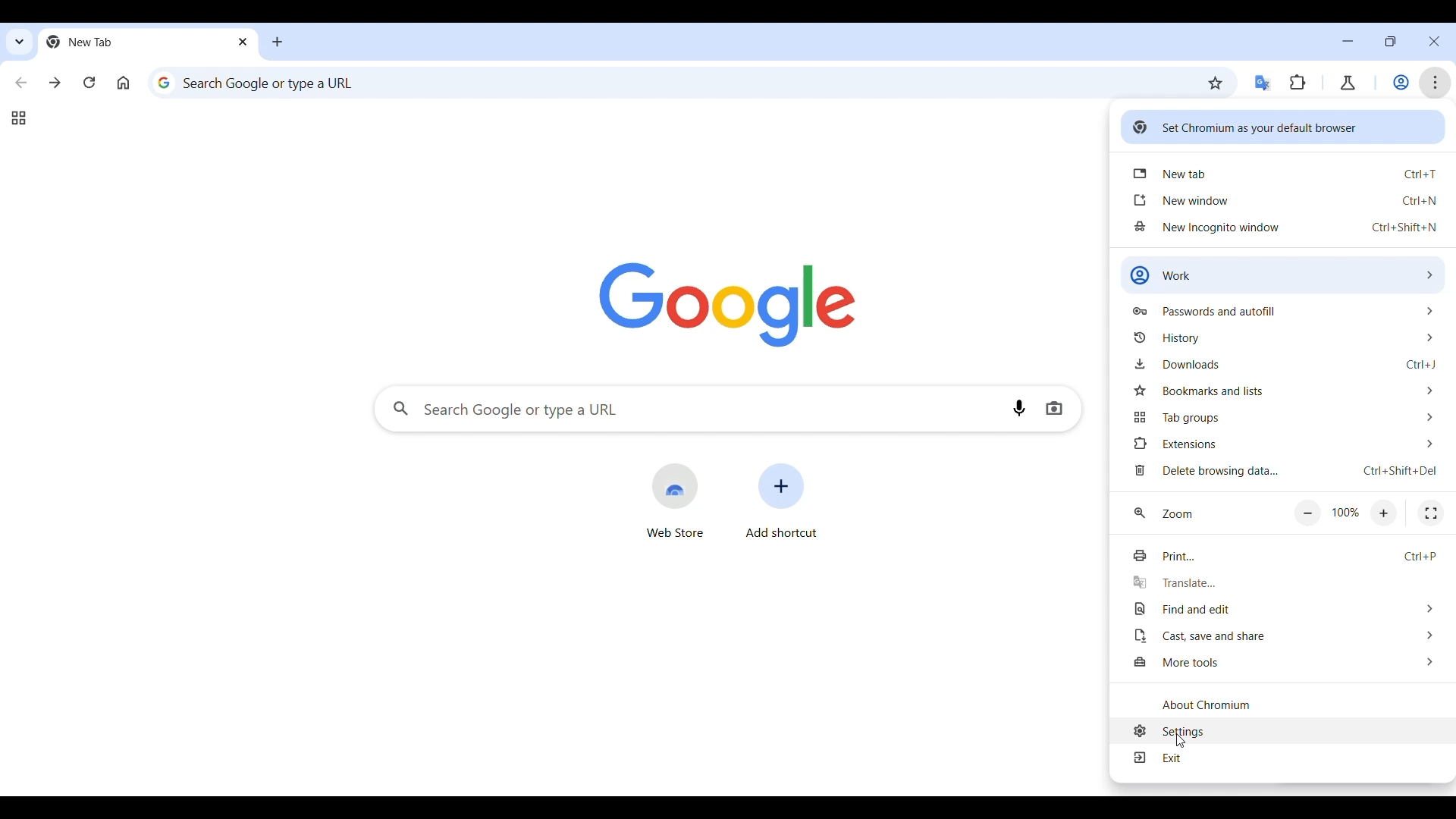 The image size is (1456, 819). What do you see at coordinates (1283, 174) in the screenshot?
I see `Open new tab` at bounding box center [1283, 174].